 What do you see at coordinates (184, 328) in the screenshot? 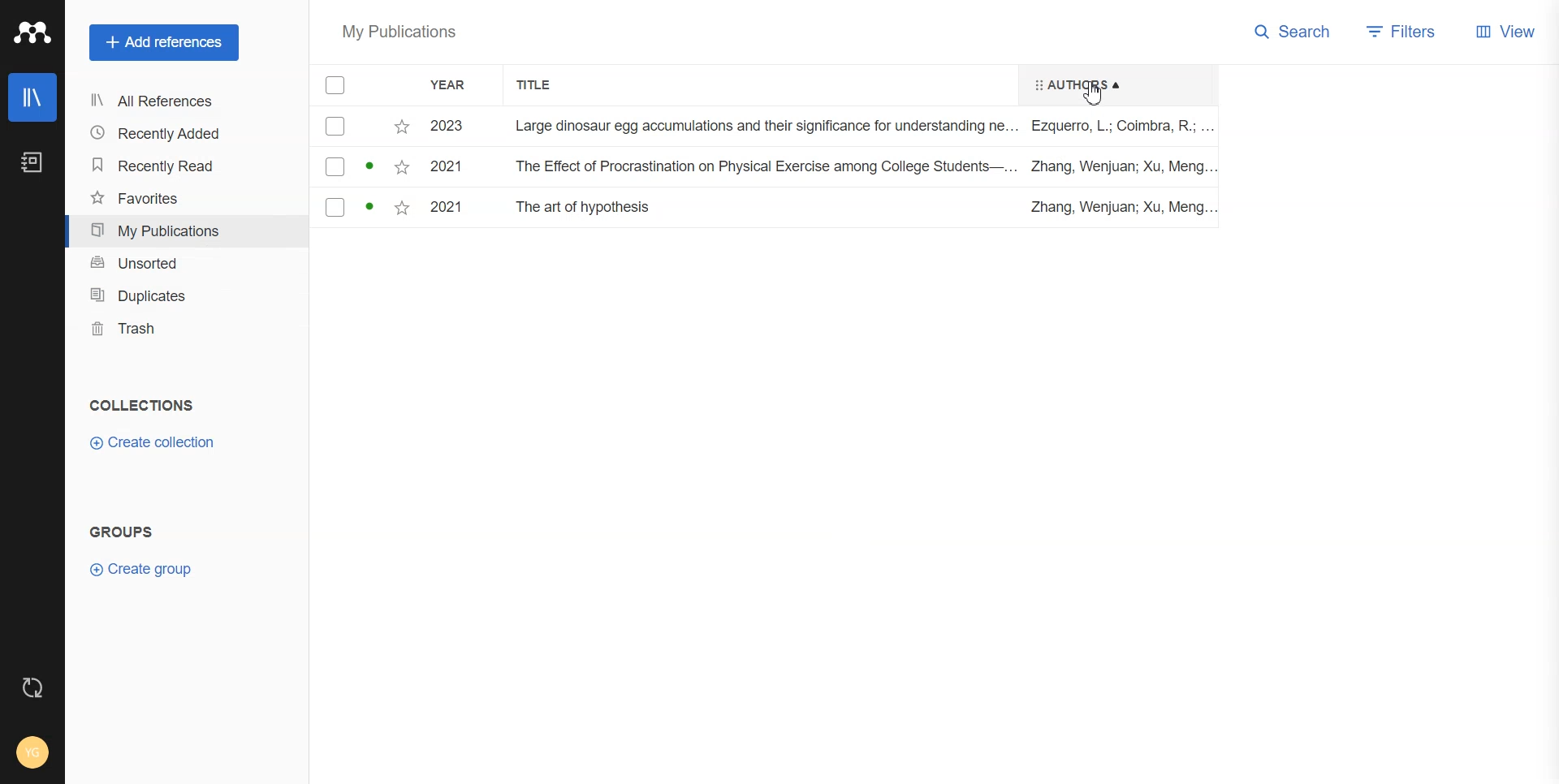
I see `Trash` at bounding box center [184, 328].